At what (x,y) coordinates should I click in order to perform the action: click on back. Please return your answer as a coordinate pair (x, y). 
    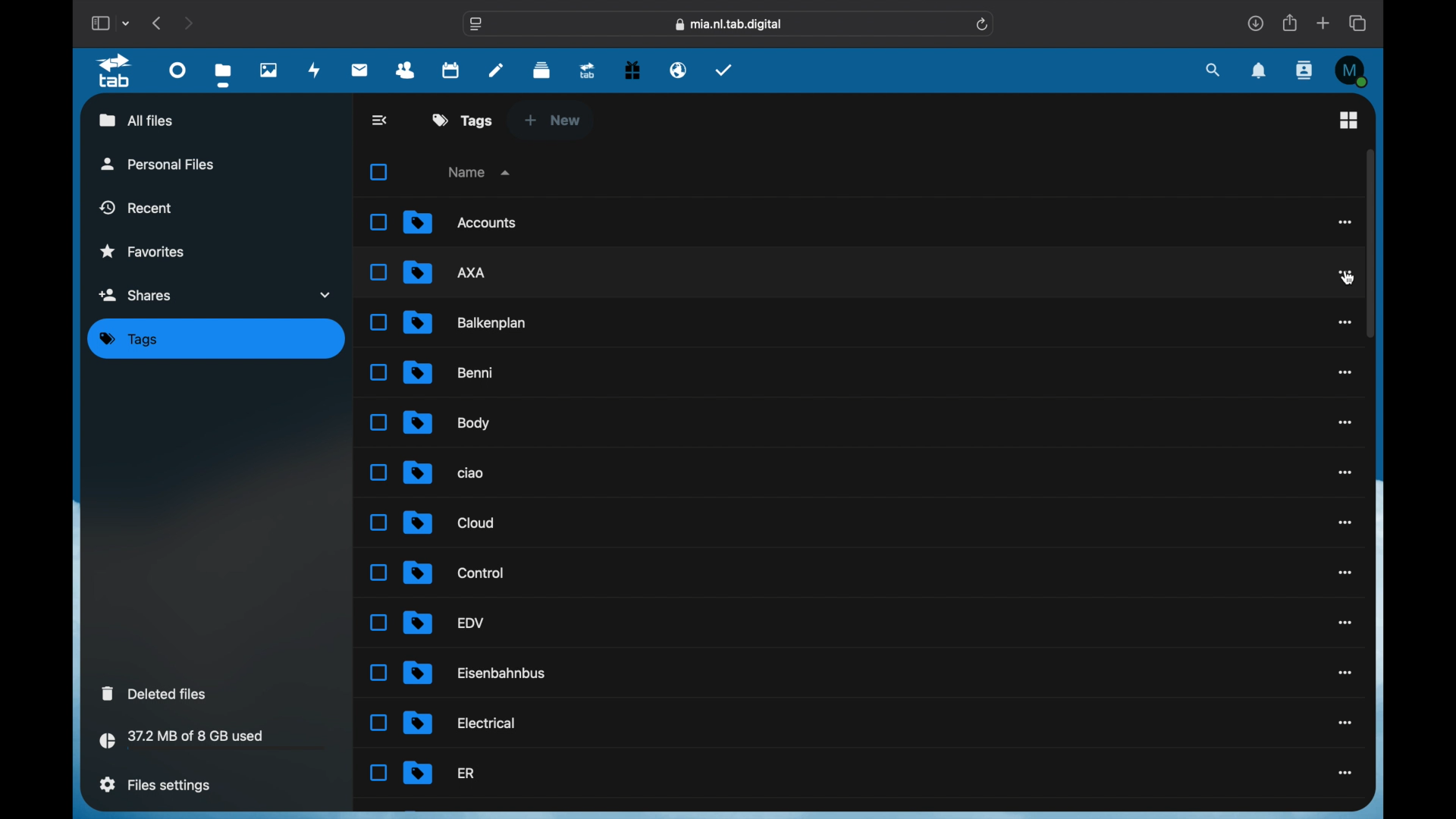
    Looking at the image, I should click on (381, 120).